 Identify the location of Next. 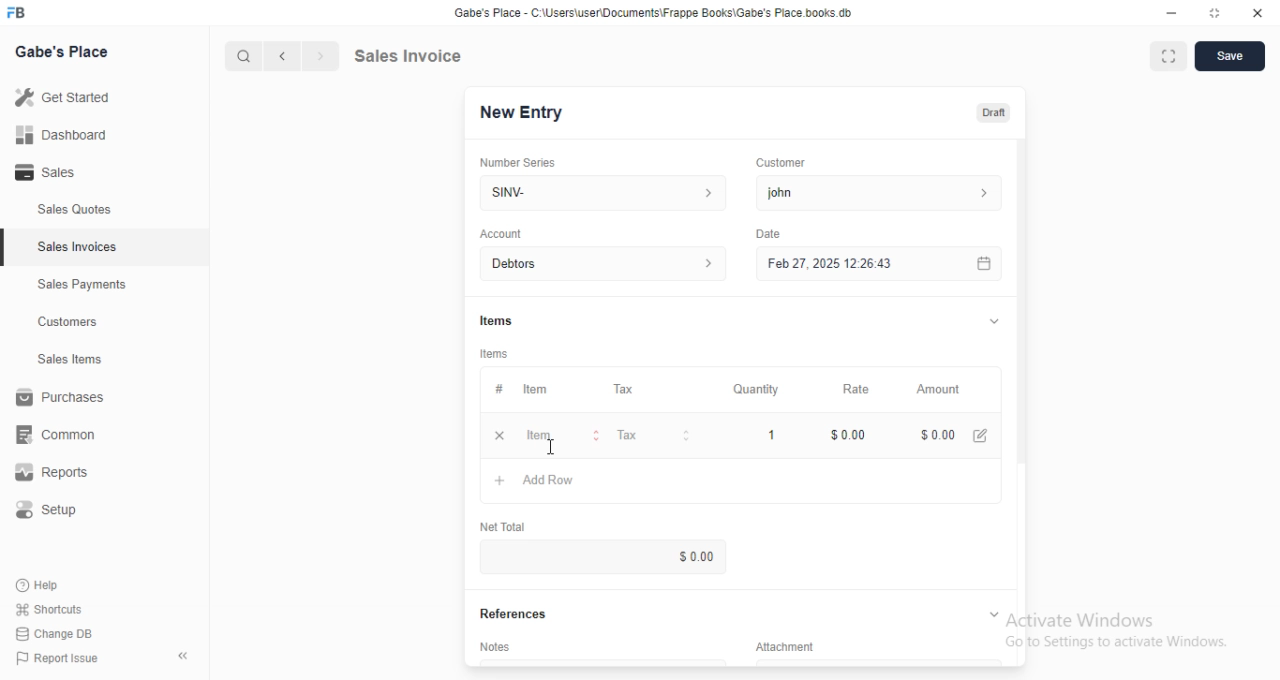
(319, 54).